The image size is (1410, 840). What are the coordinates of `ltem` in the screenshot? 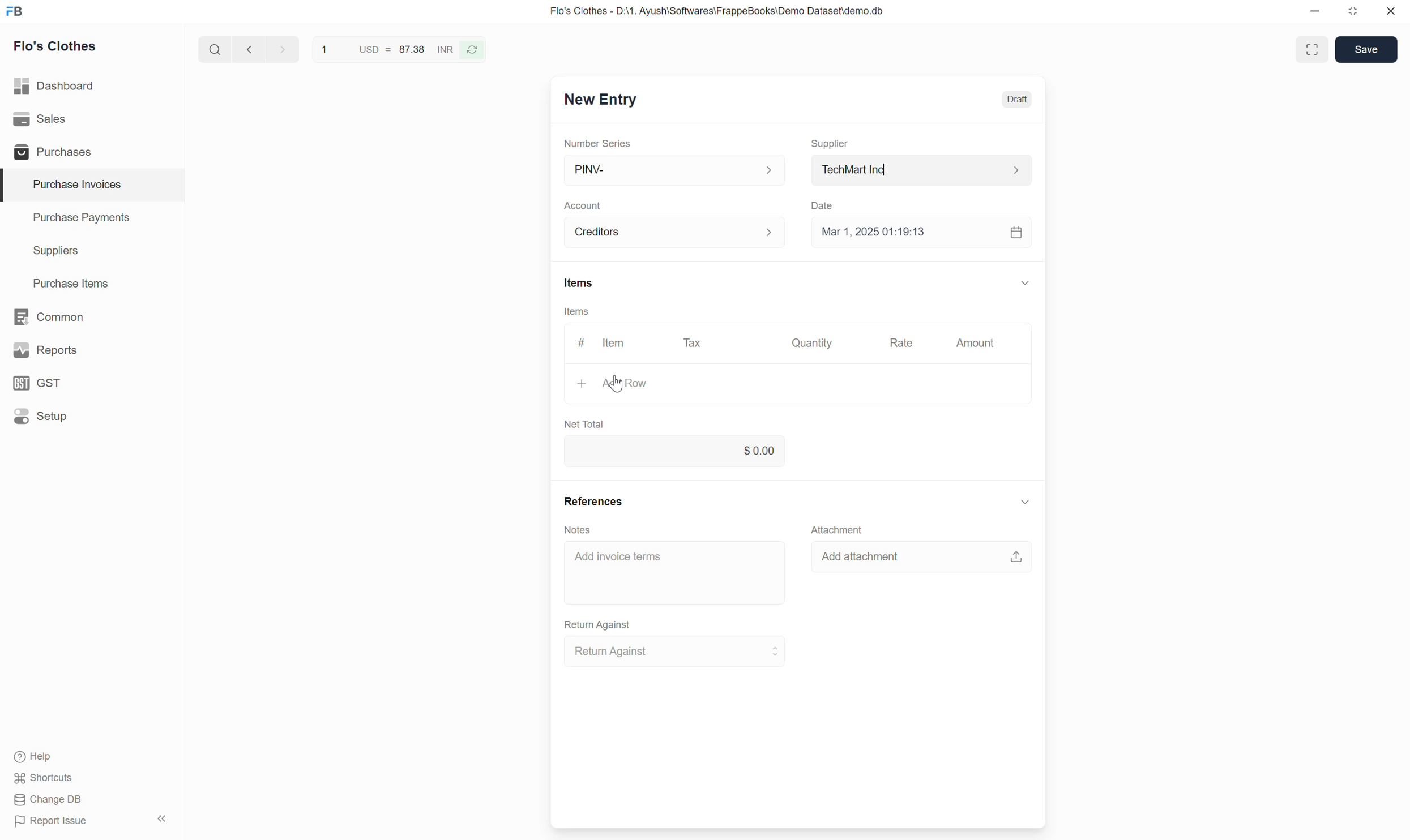 It's located at (616, 345).